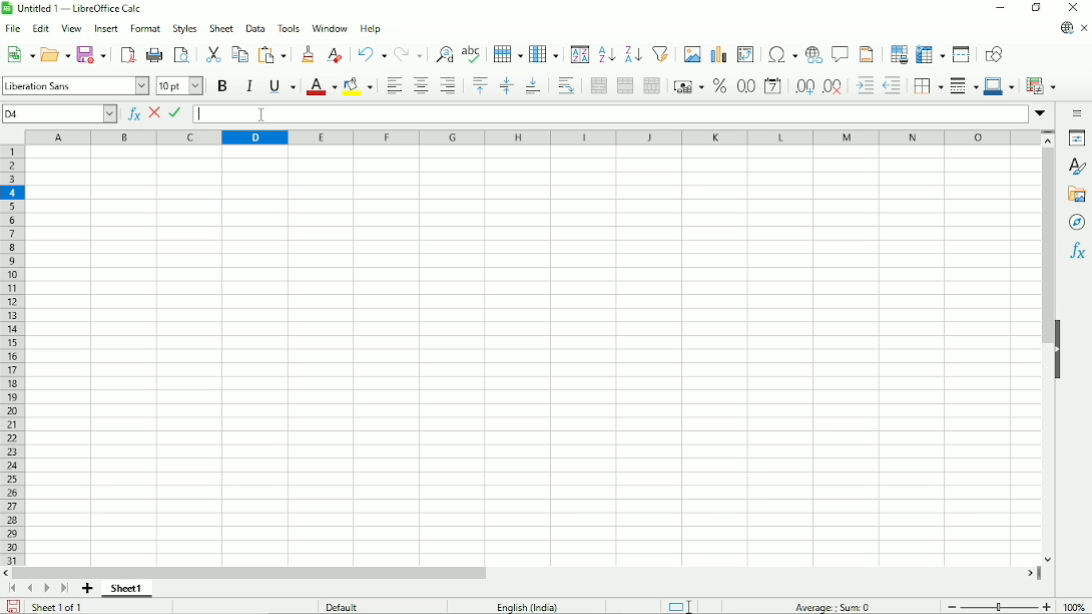  I want to click on Save, so click(92, 54).